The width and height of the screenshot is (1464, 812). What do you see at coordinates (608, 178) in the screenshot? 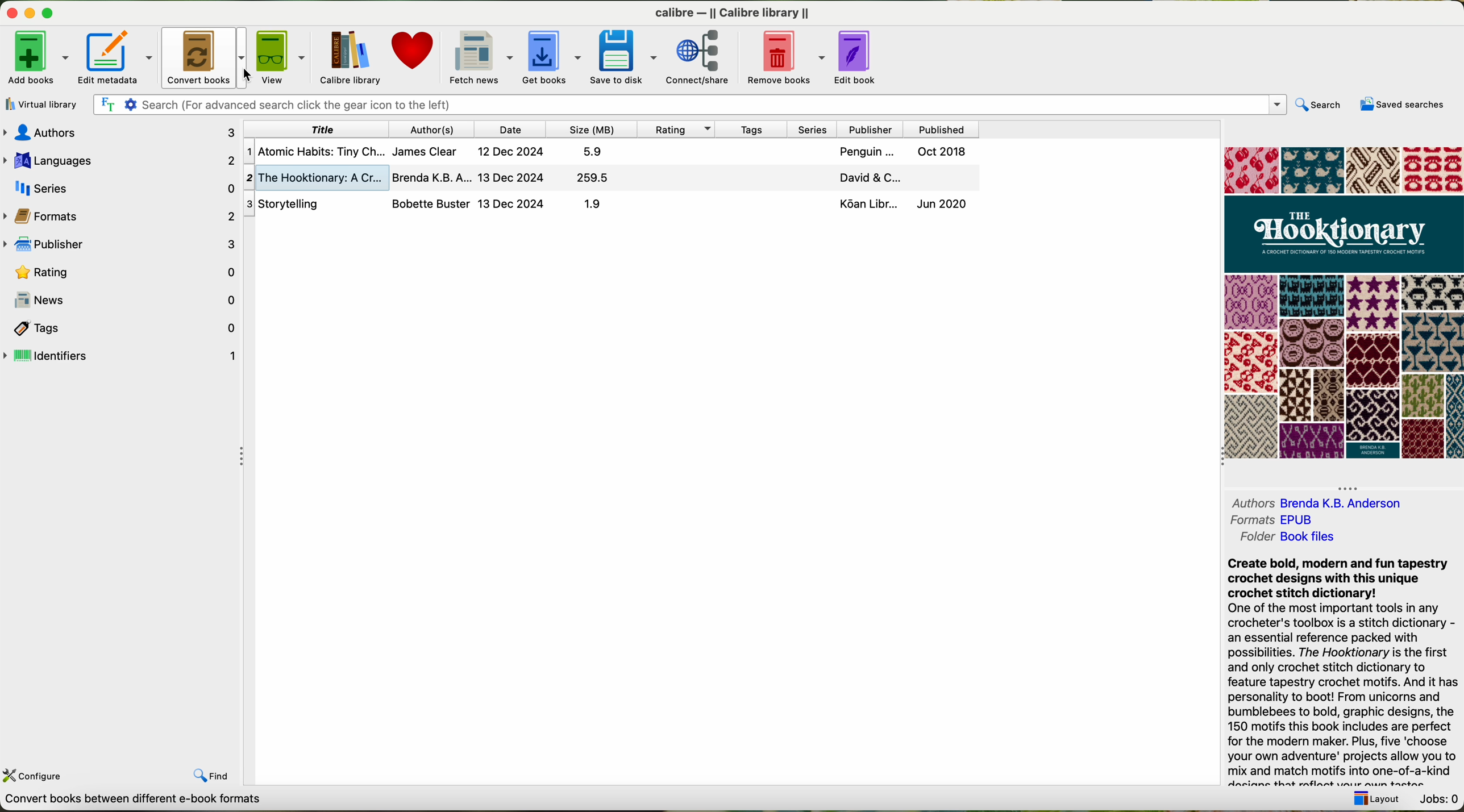
I see `The Hooktionary book details` at bounding box center [608, 178].